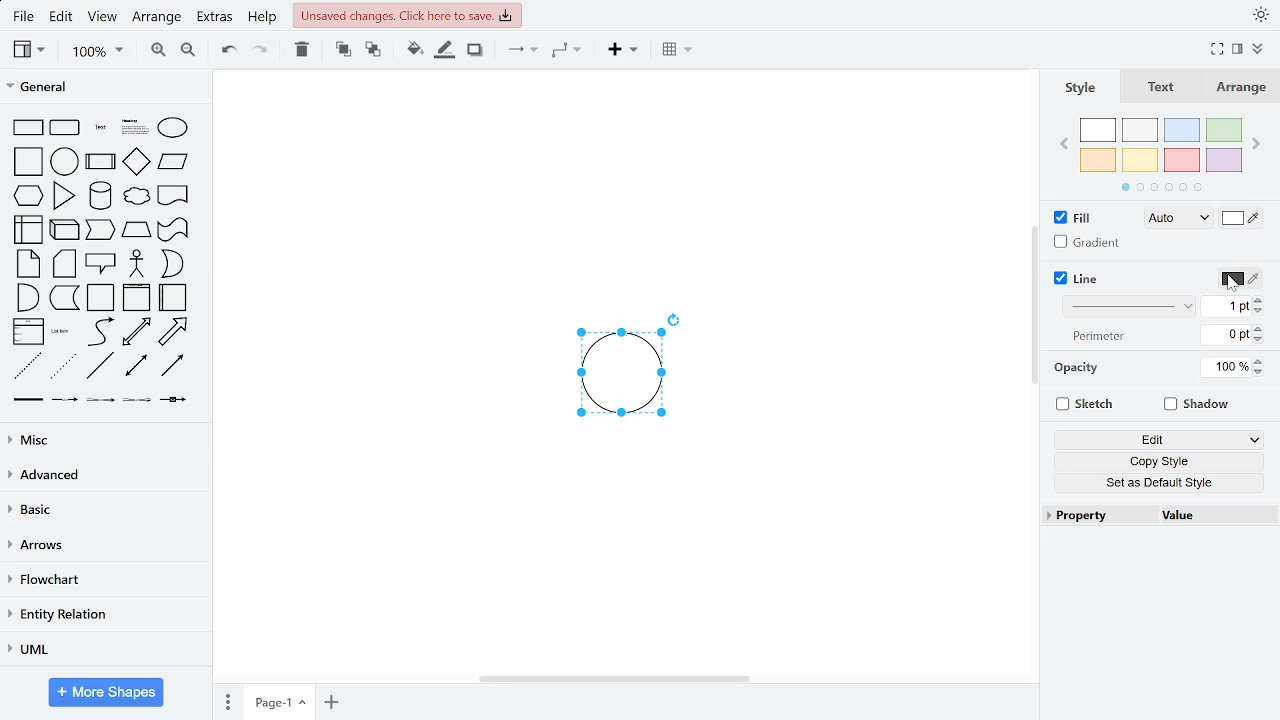  What do you see at coordinates (101, 332) in the screenshot?
I see `curve` at bounding box center [101, 332].